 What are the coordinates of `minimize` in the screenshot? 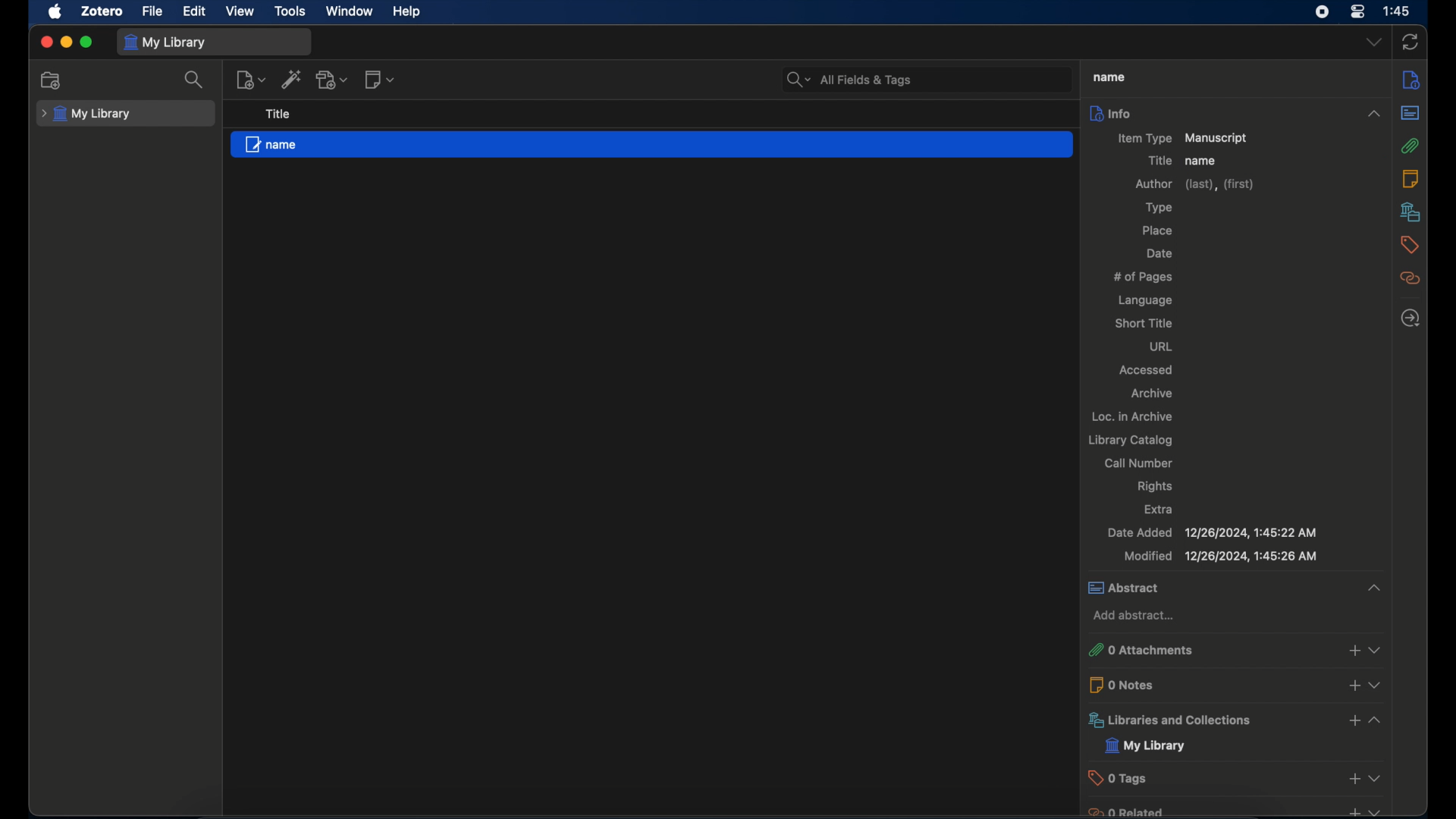 It's located at (65, 43).